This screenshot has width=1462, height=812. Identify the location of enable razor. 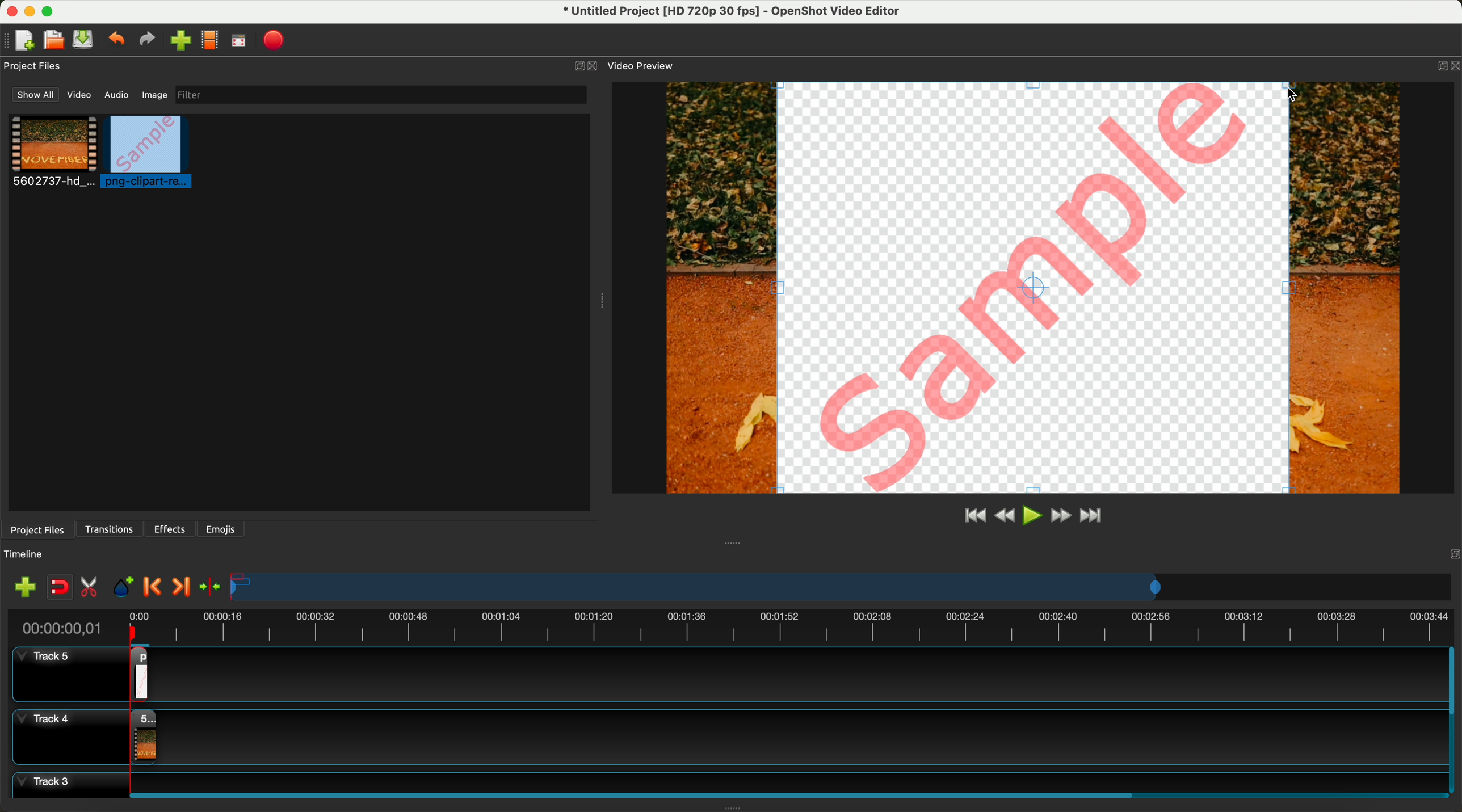
(92, 589).